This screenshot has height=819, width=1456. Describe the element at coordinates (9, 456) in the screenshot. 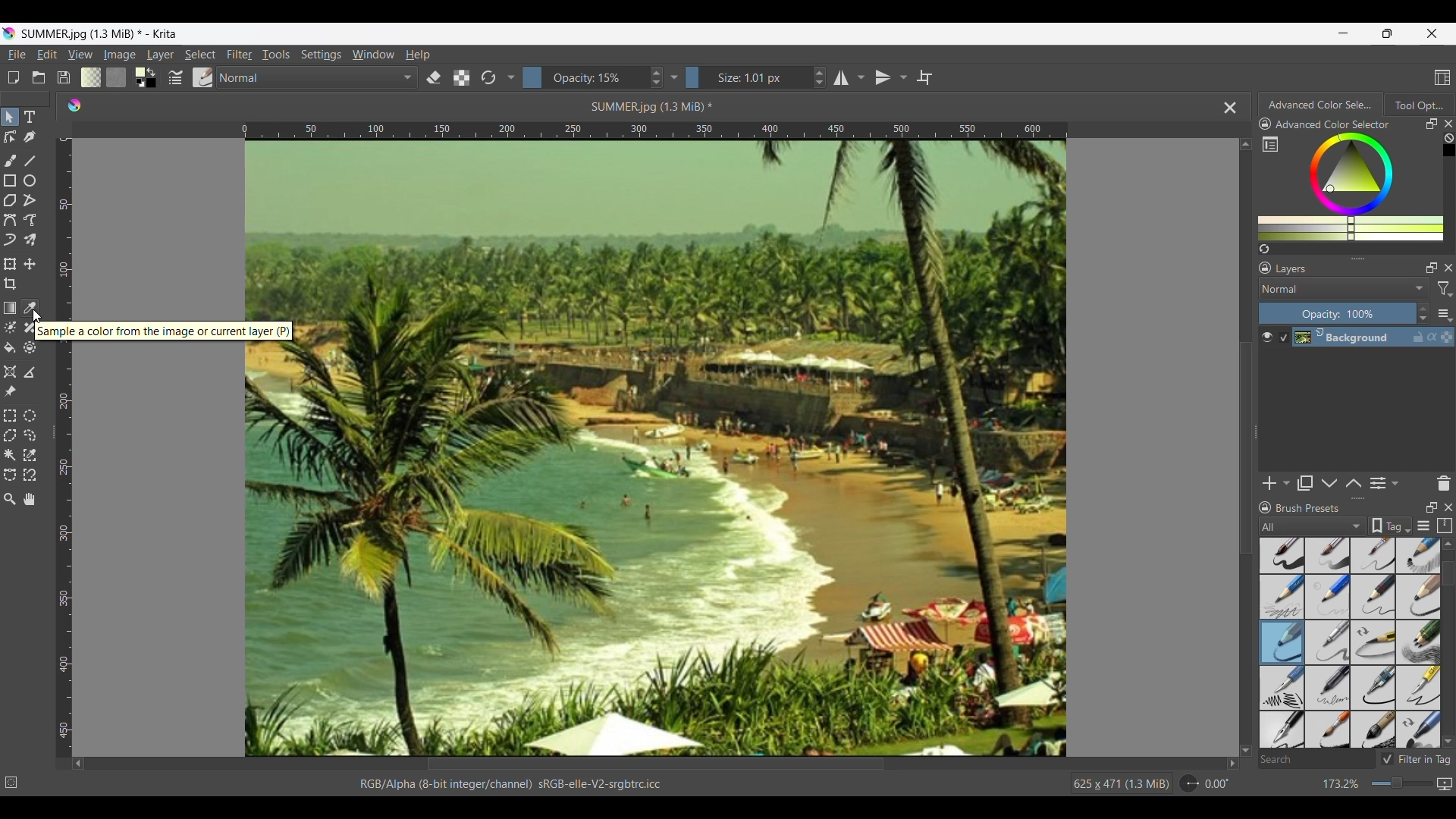

I see `Contiguous selection tool` at that location.